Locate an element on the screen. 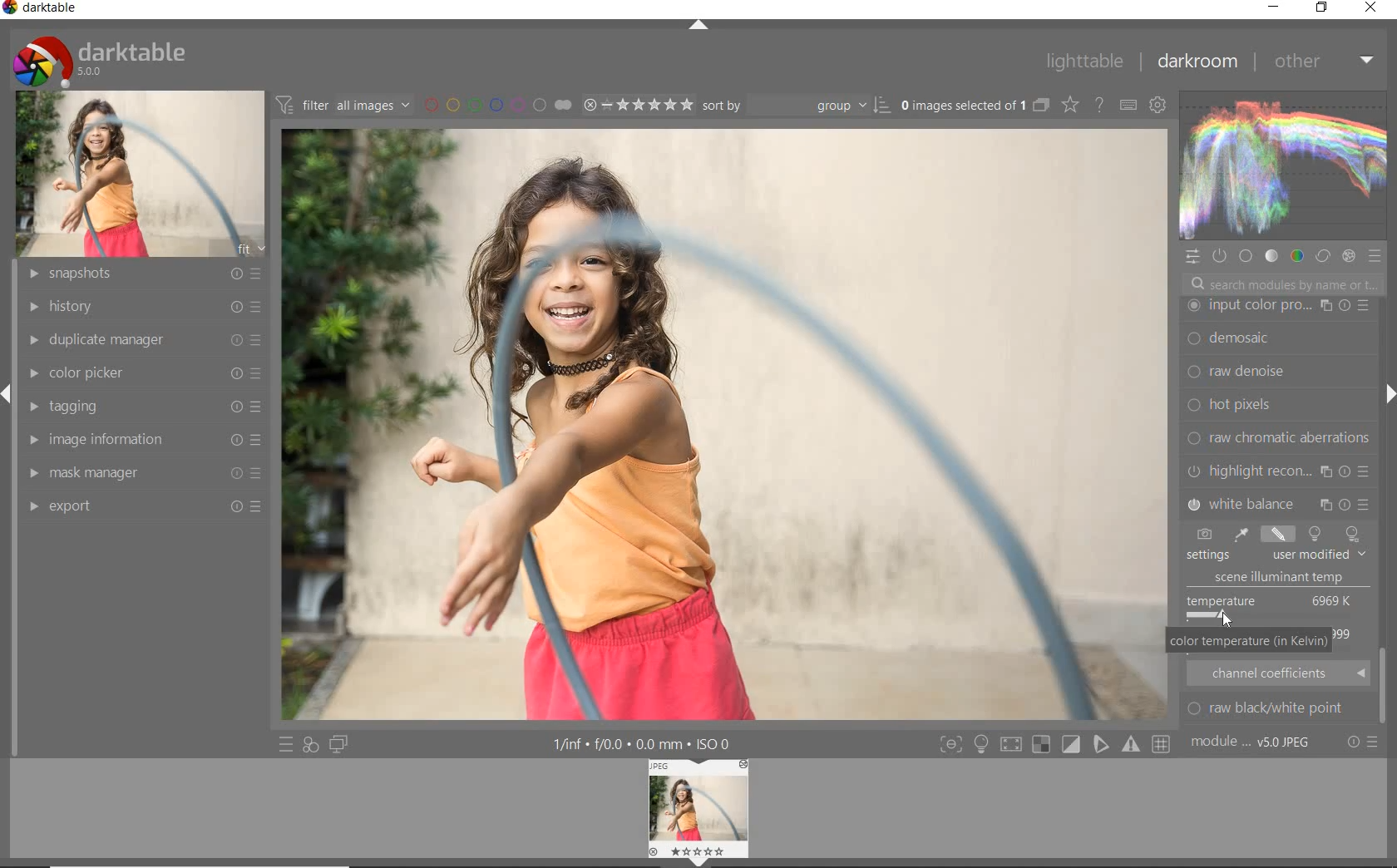  toggle mode  is located at coordinates (1044, 746).